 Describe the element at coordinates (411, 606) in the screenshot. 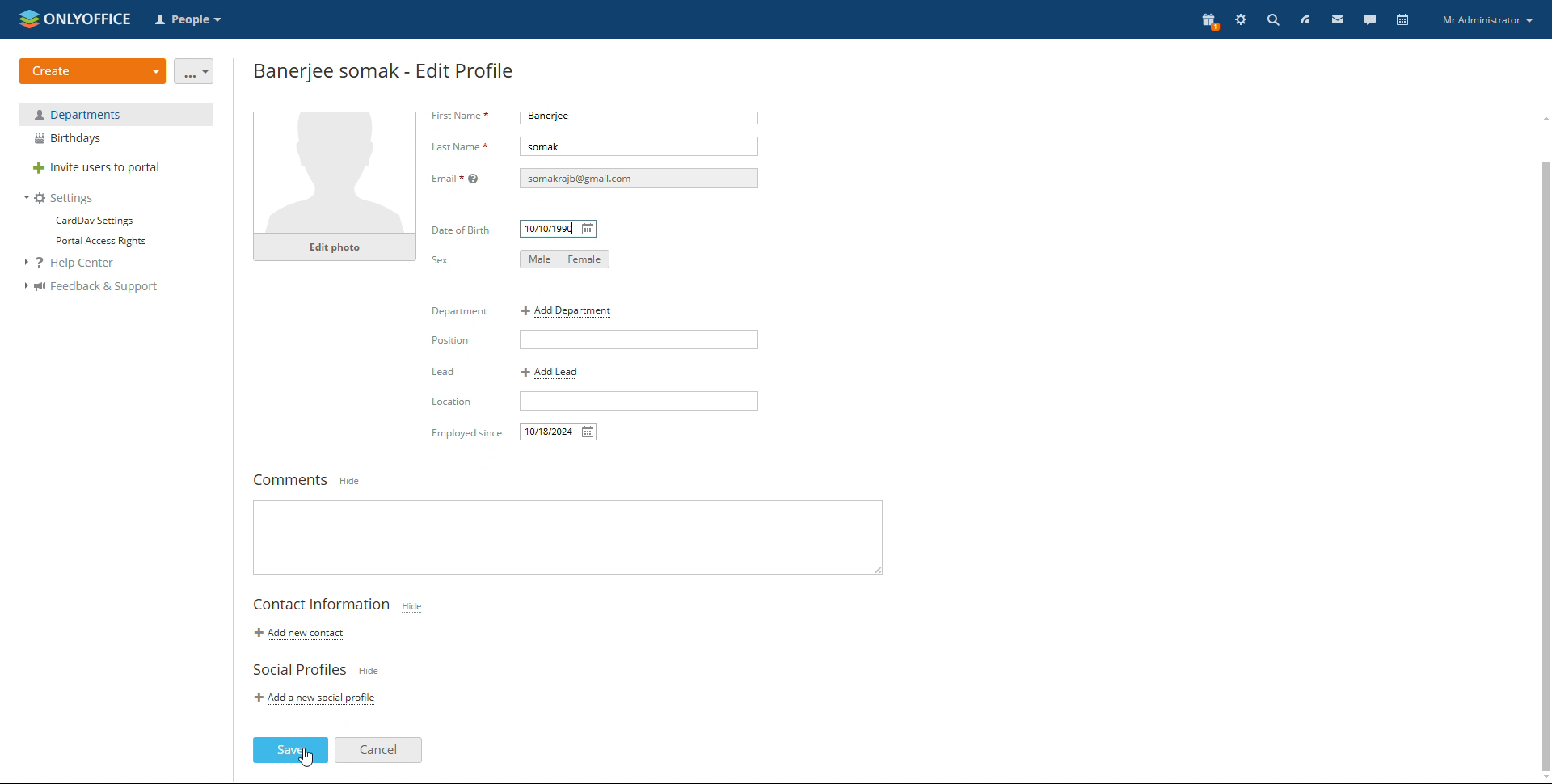

I see `hide` at that location.